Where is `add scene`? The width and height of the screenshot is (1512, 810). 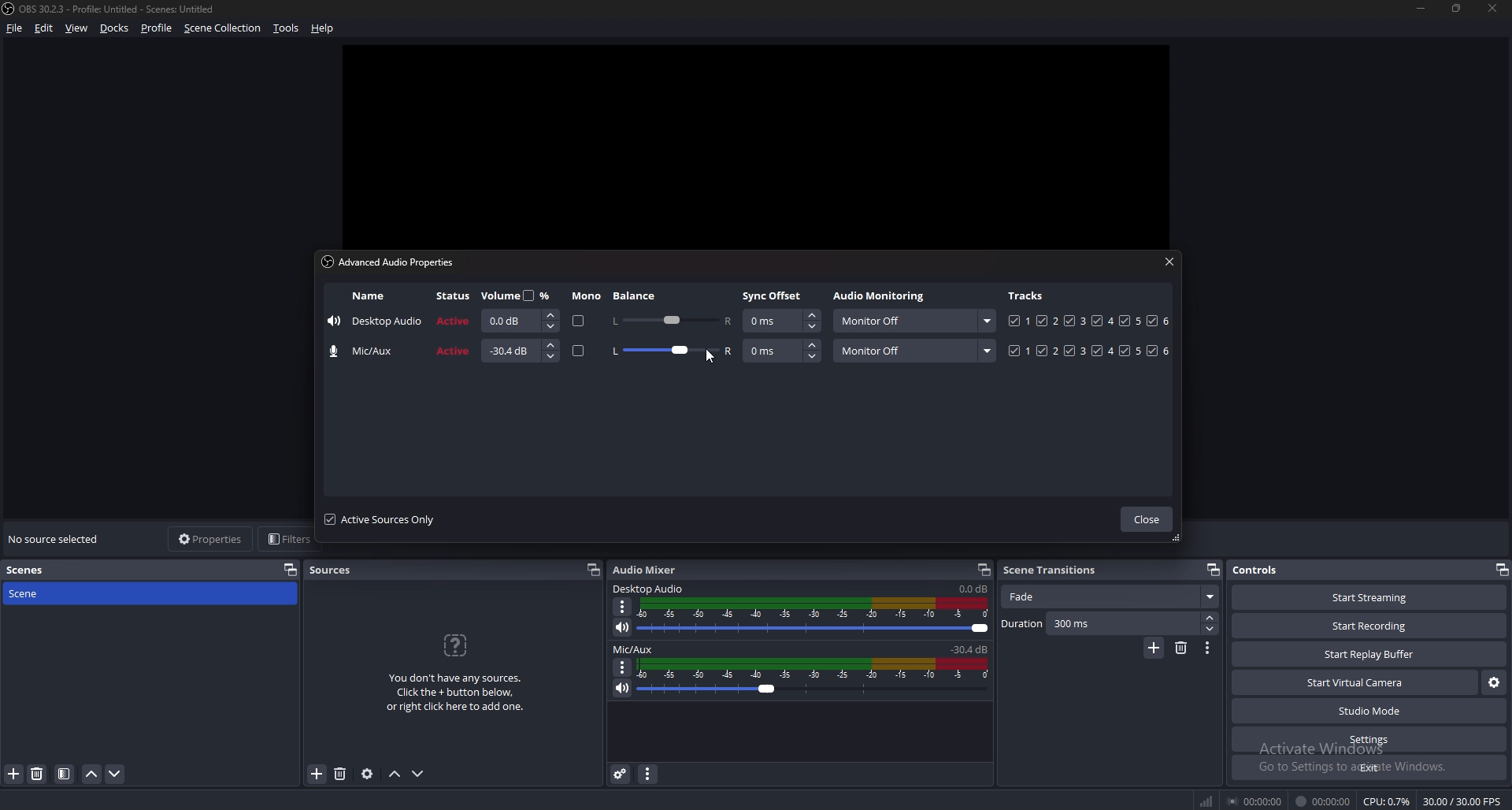 add scene is located at coordinates (13, 774).